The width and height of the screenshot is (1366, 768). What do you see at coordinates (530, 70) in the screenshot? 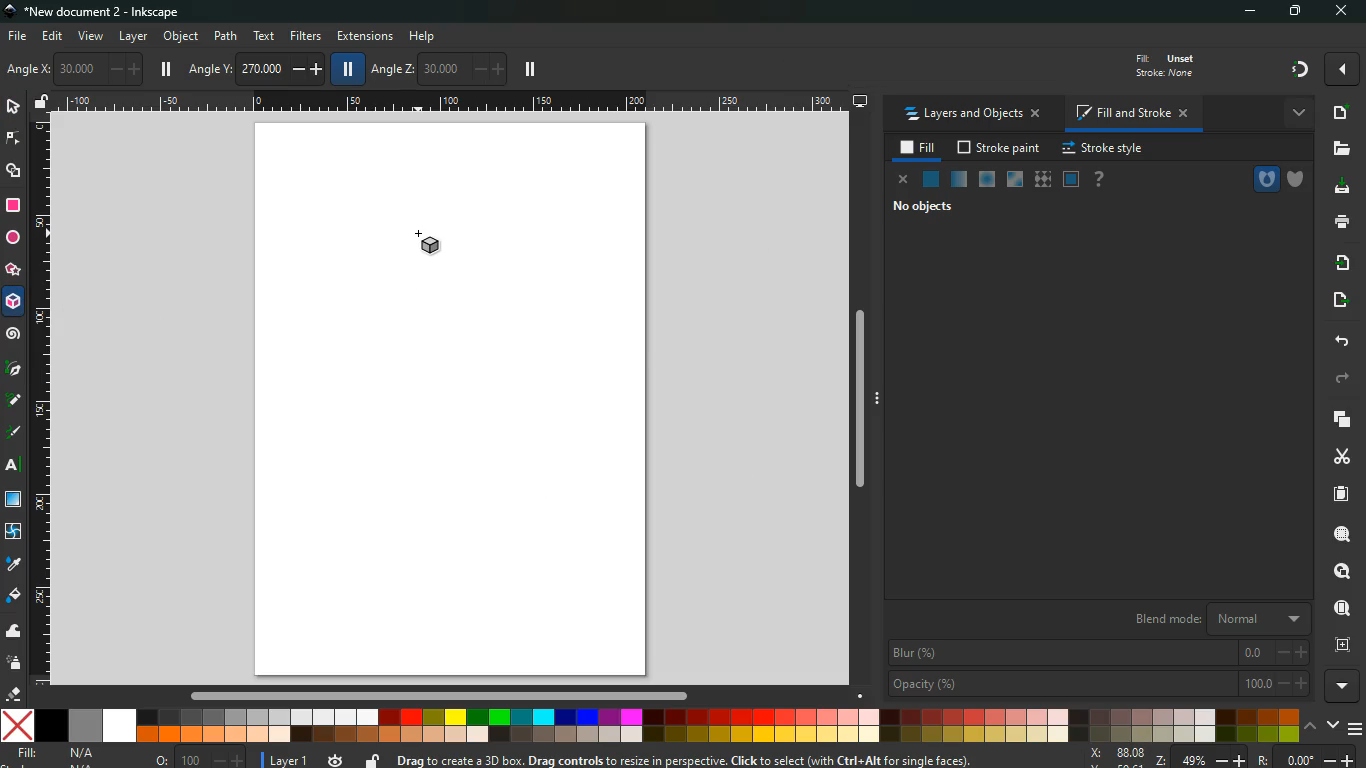
I see `pause` at bounding box center [530, 70].